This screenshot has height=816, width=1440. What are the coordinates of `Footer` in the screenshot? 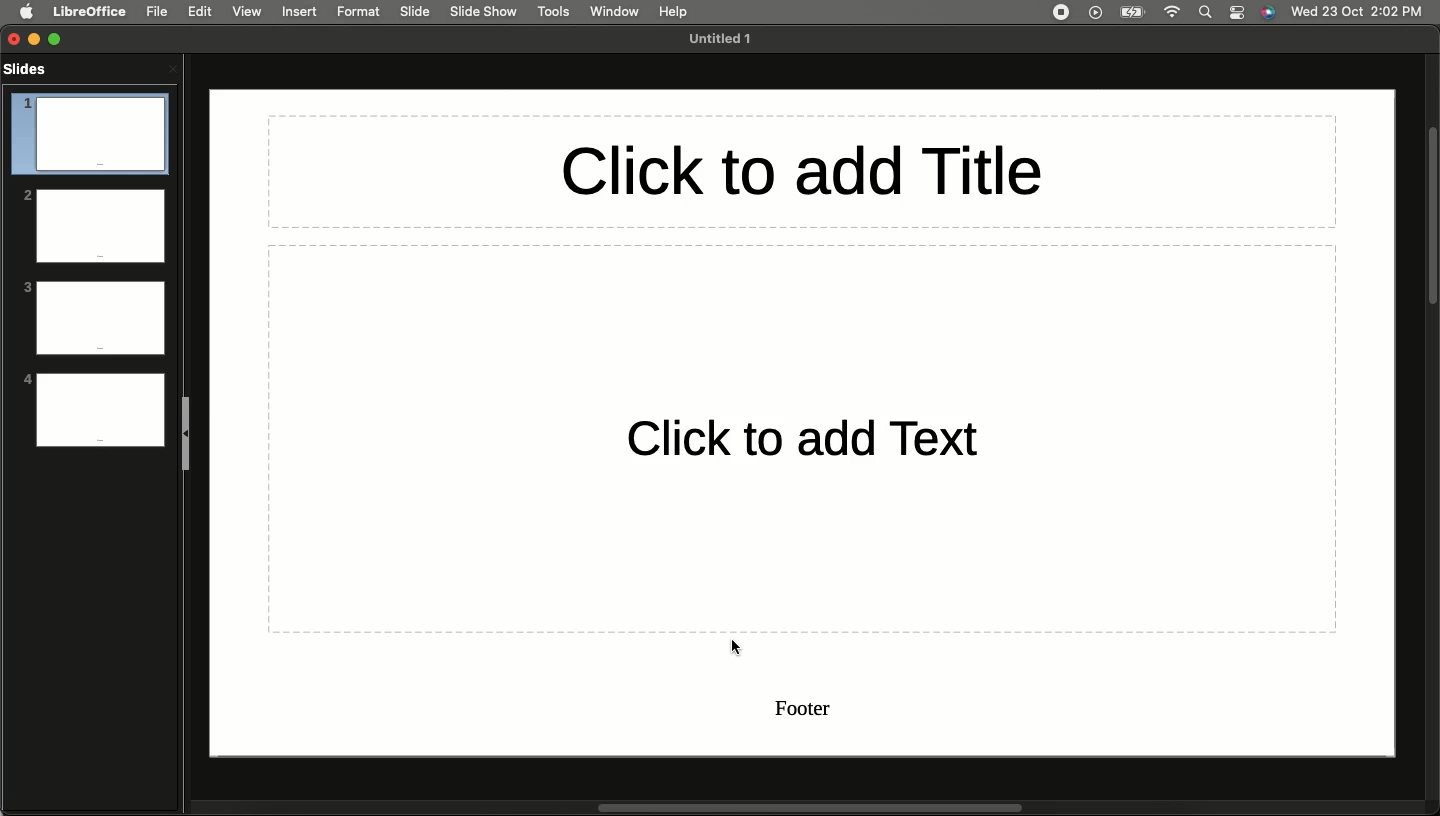 It's located at (103, 348).